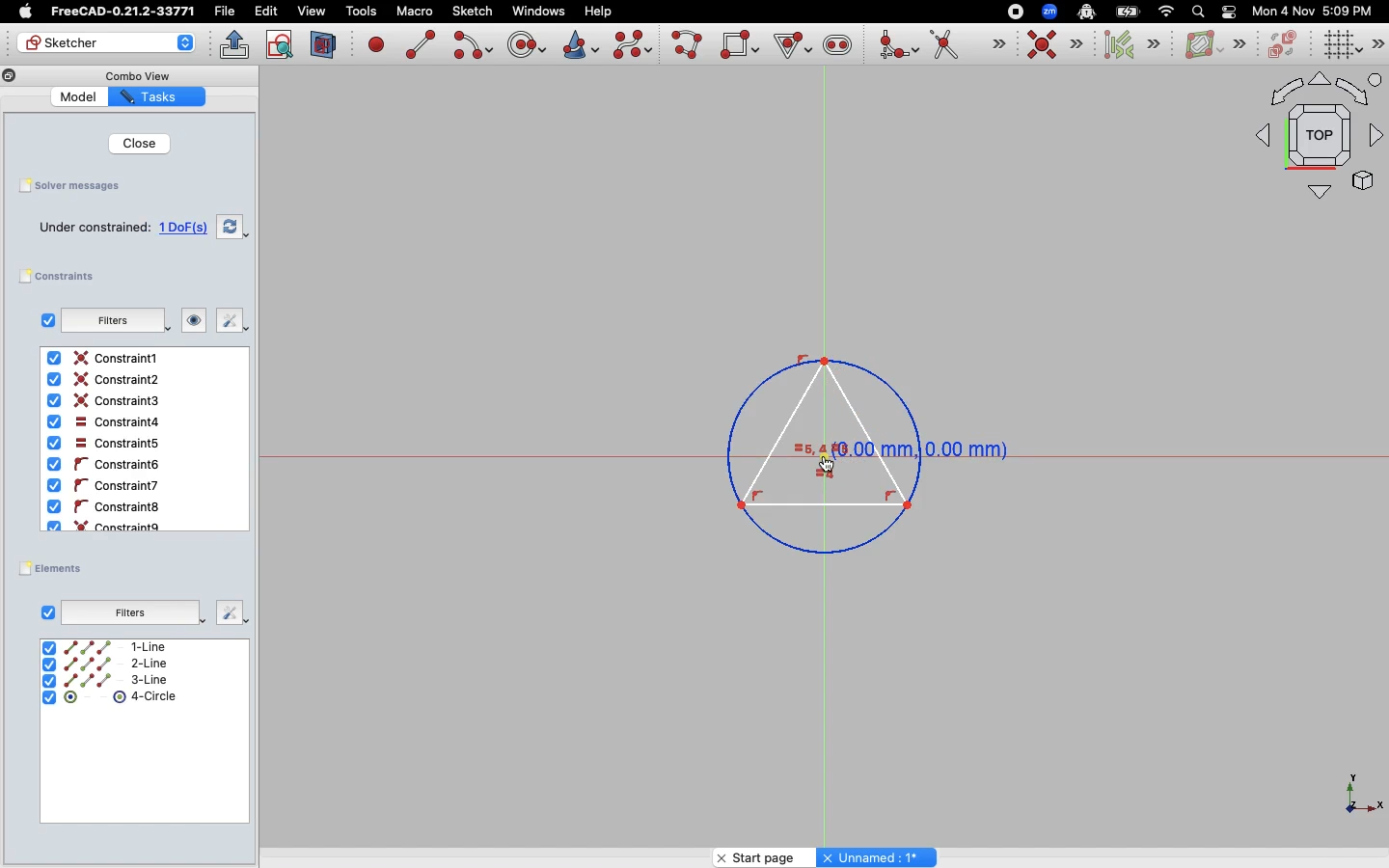  I want to click on Create circle, so click(527, 42).